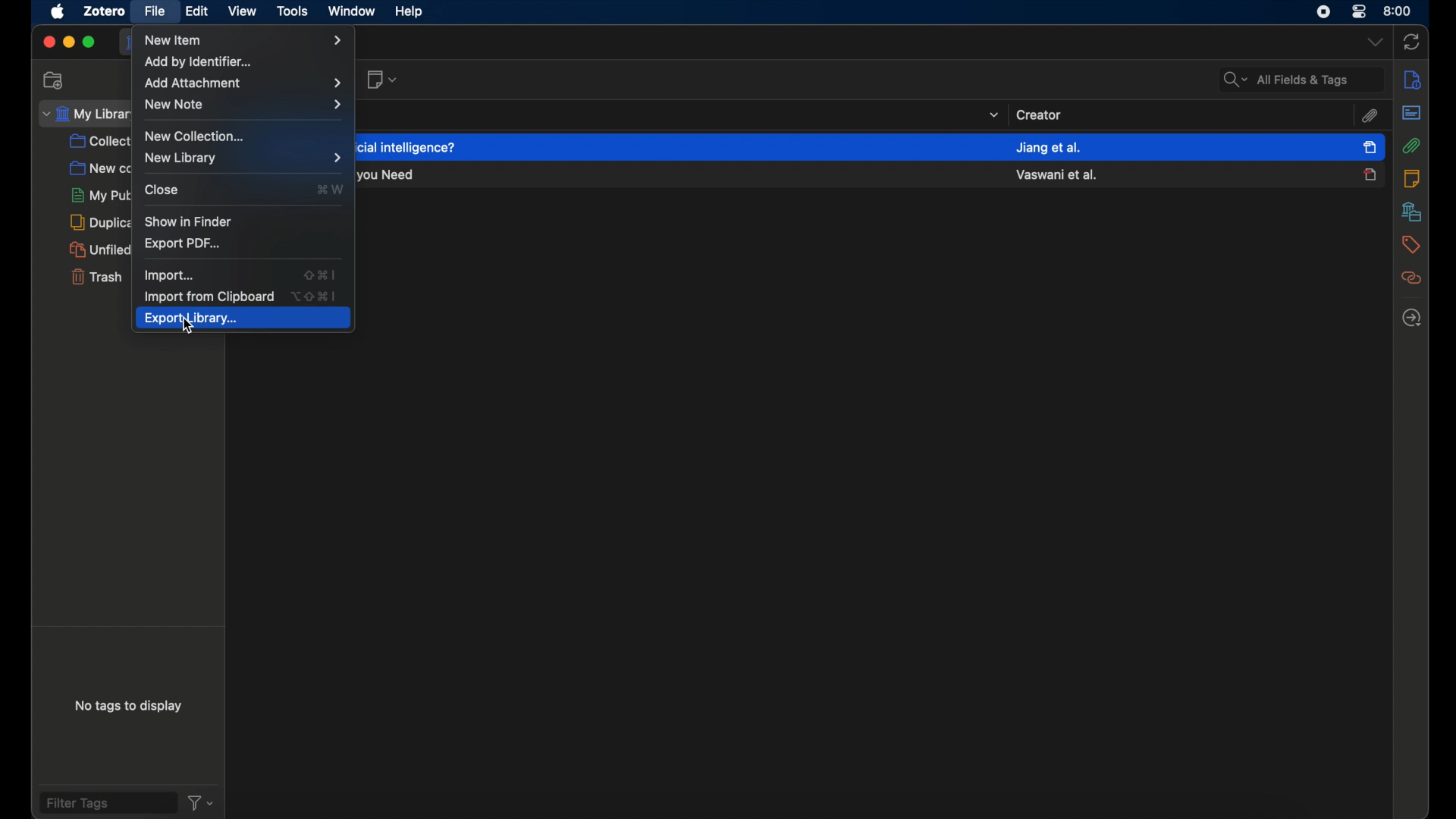  Describe the element at coordinates (1360, 11) in the screenshot. I see `control center` at that location.